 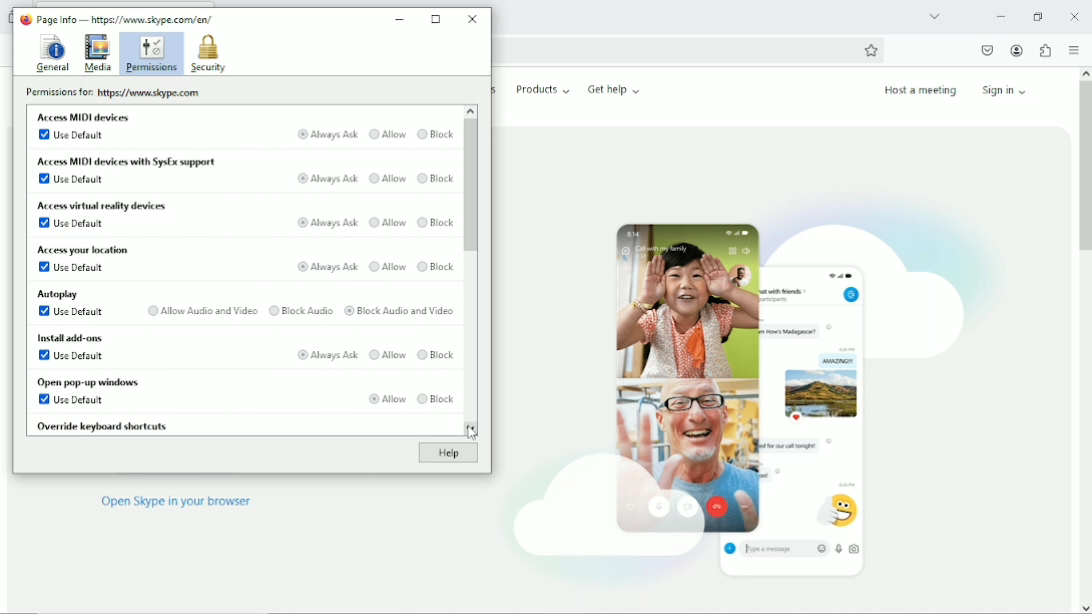 What do you see at coordinates (115, 94) in the screenshot?
I see `Permissions for: www. skype com` at bounding box center [115, 94].